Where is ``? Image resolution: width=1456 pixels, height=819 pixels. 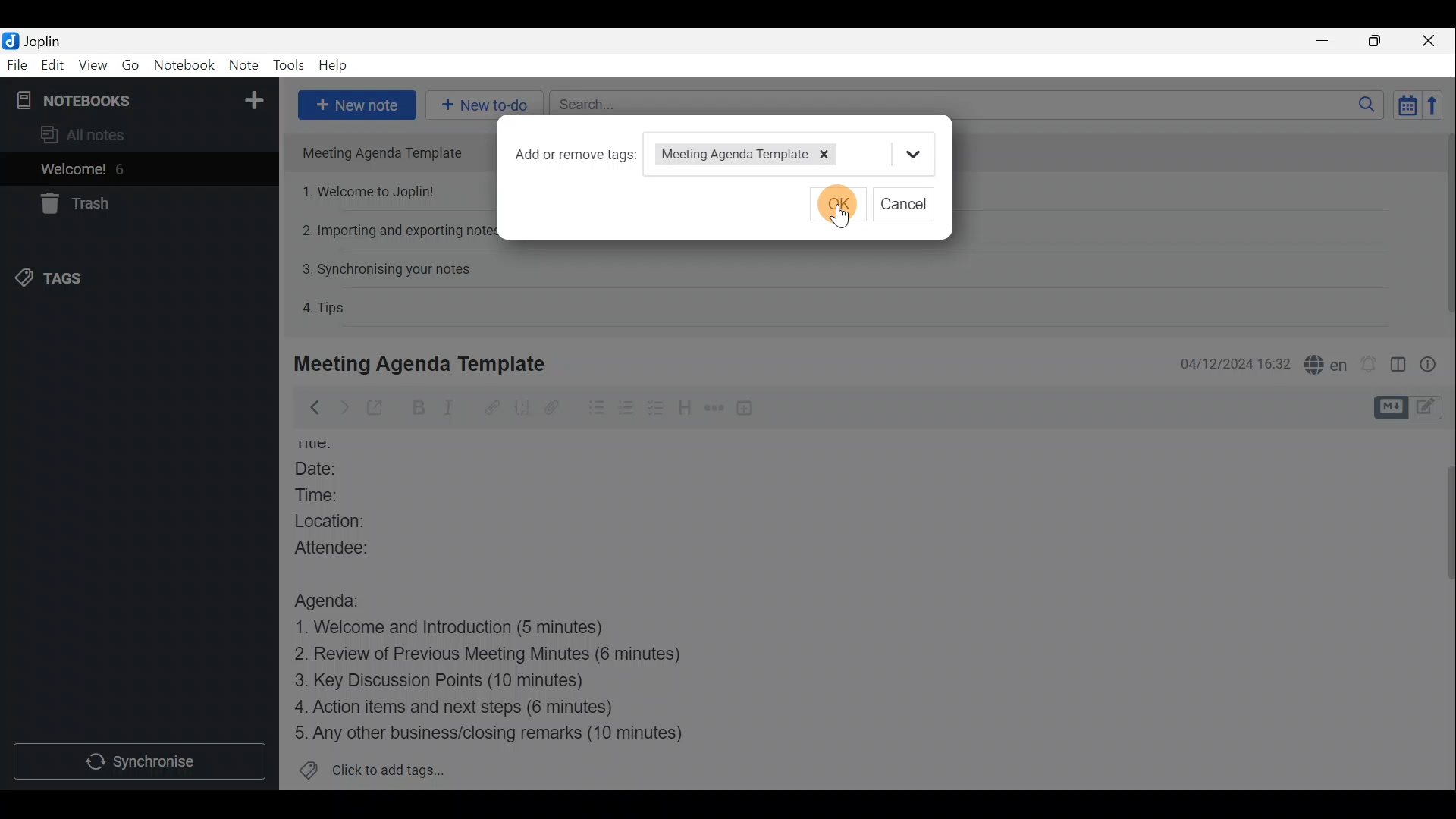
 is located at coordinates (318, 443).